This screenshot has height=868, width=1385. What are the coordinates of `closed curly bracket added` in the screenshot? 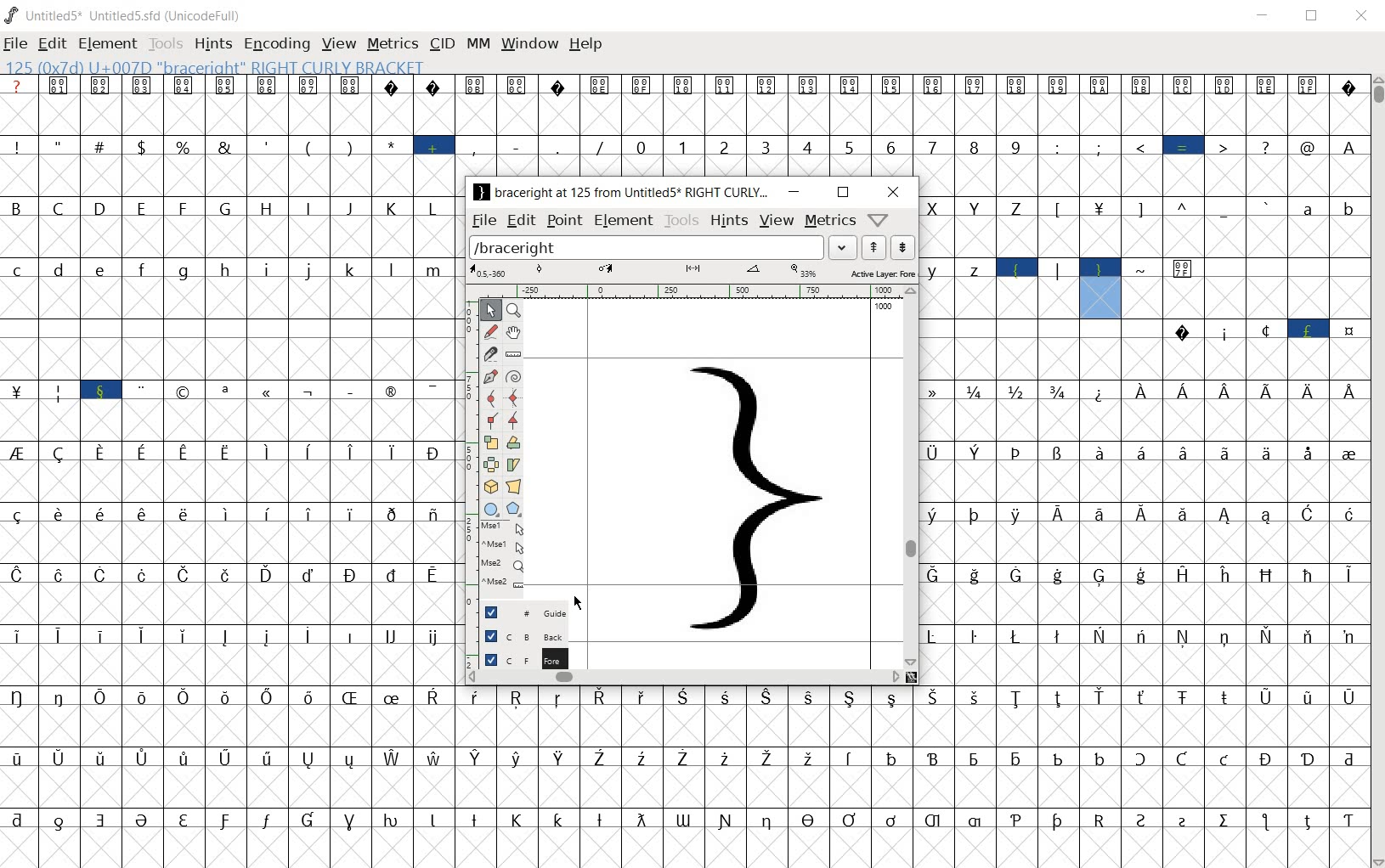 It's located at (753, 495).